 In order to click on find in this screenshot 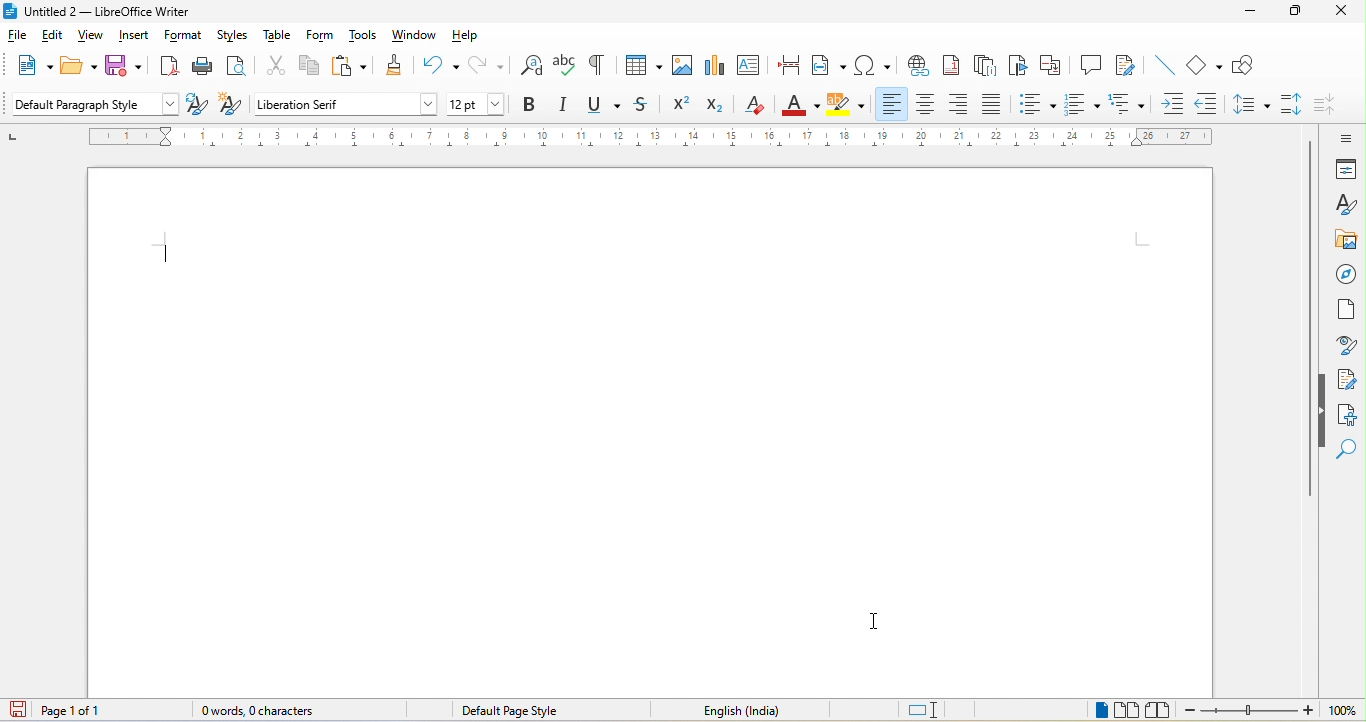, I will do `click(1350, 452)`.